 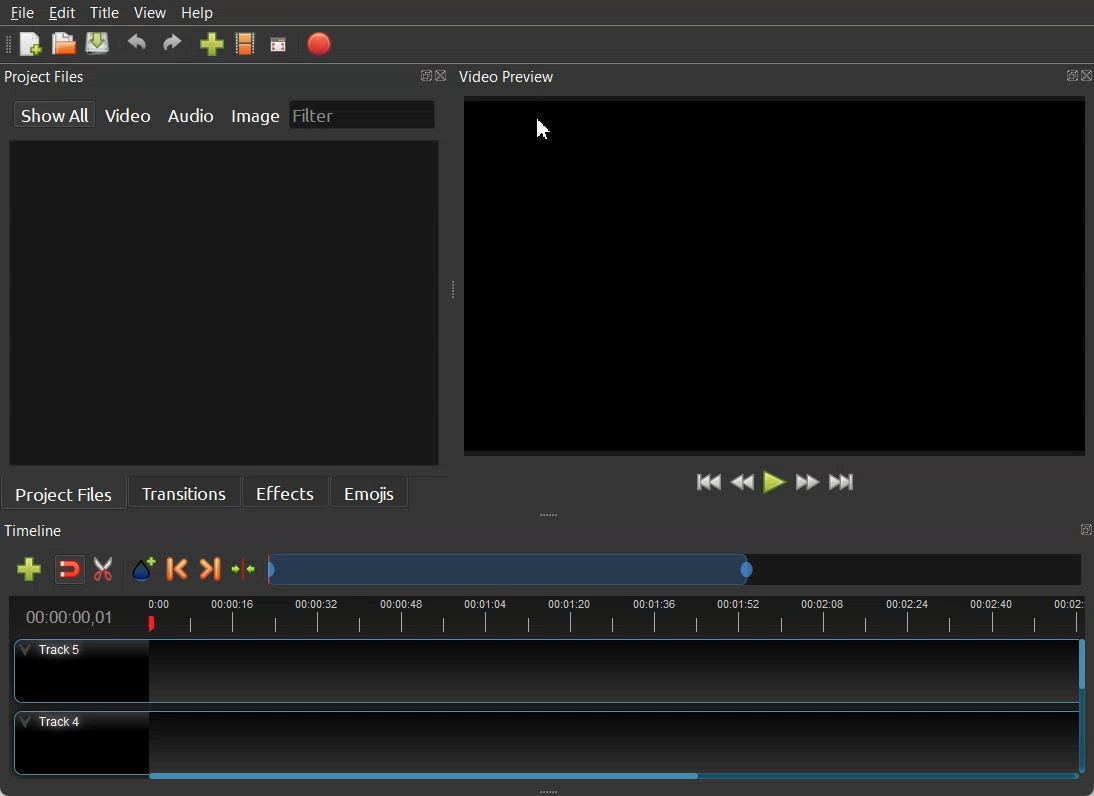 I want to click on File, so click(x=23, y=13).